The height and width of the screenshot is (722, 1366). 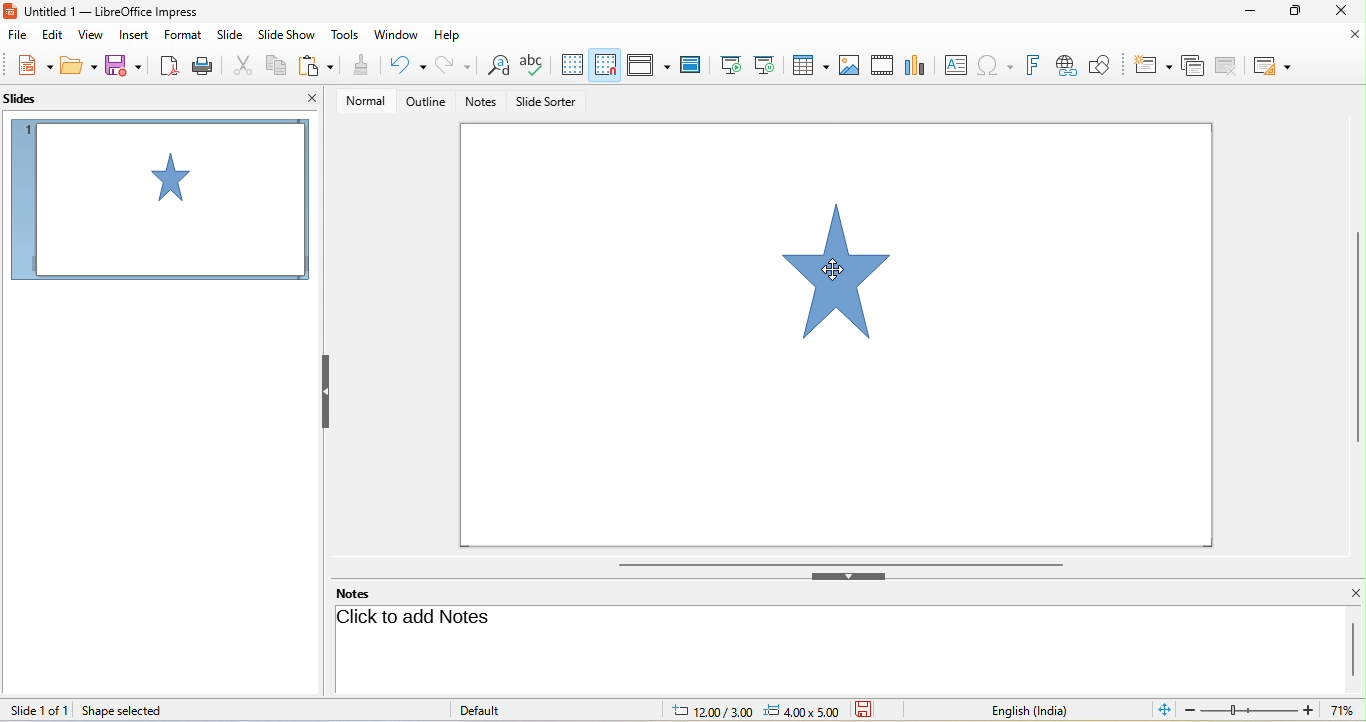 I want to click on current window title: Untitled 1 — LibreOffice Impress, so click(x=102, y=11).